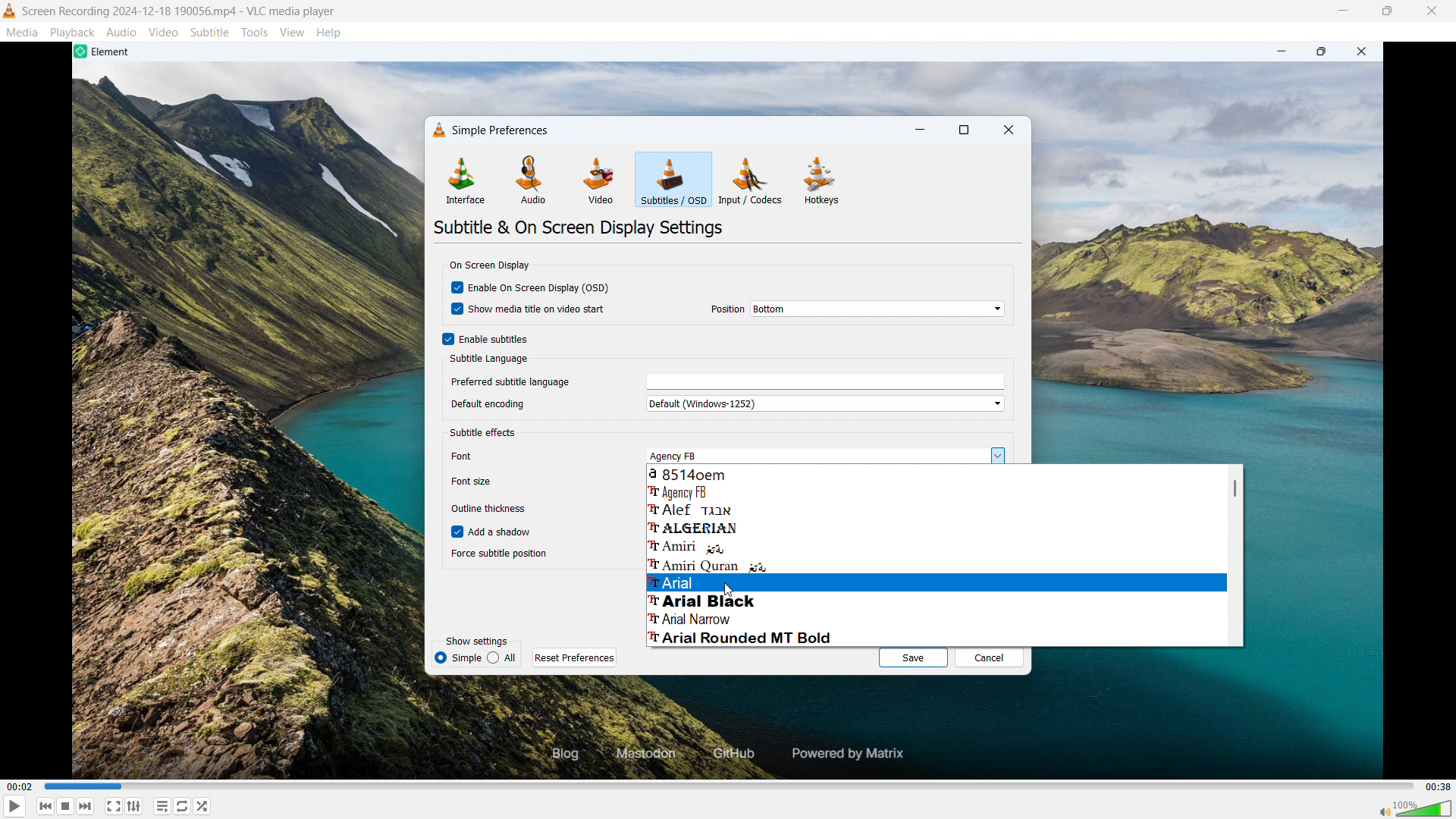  I want to click on Default encoding, so click(502, 403).